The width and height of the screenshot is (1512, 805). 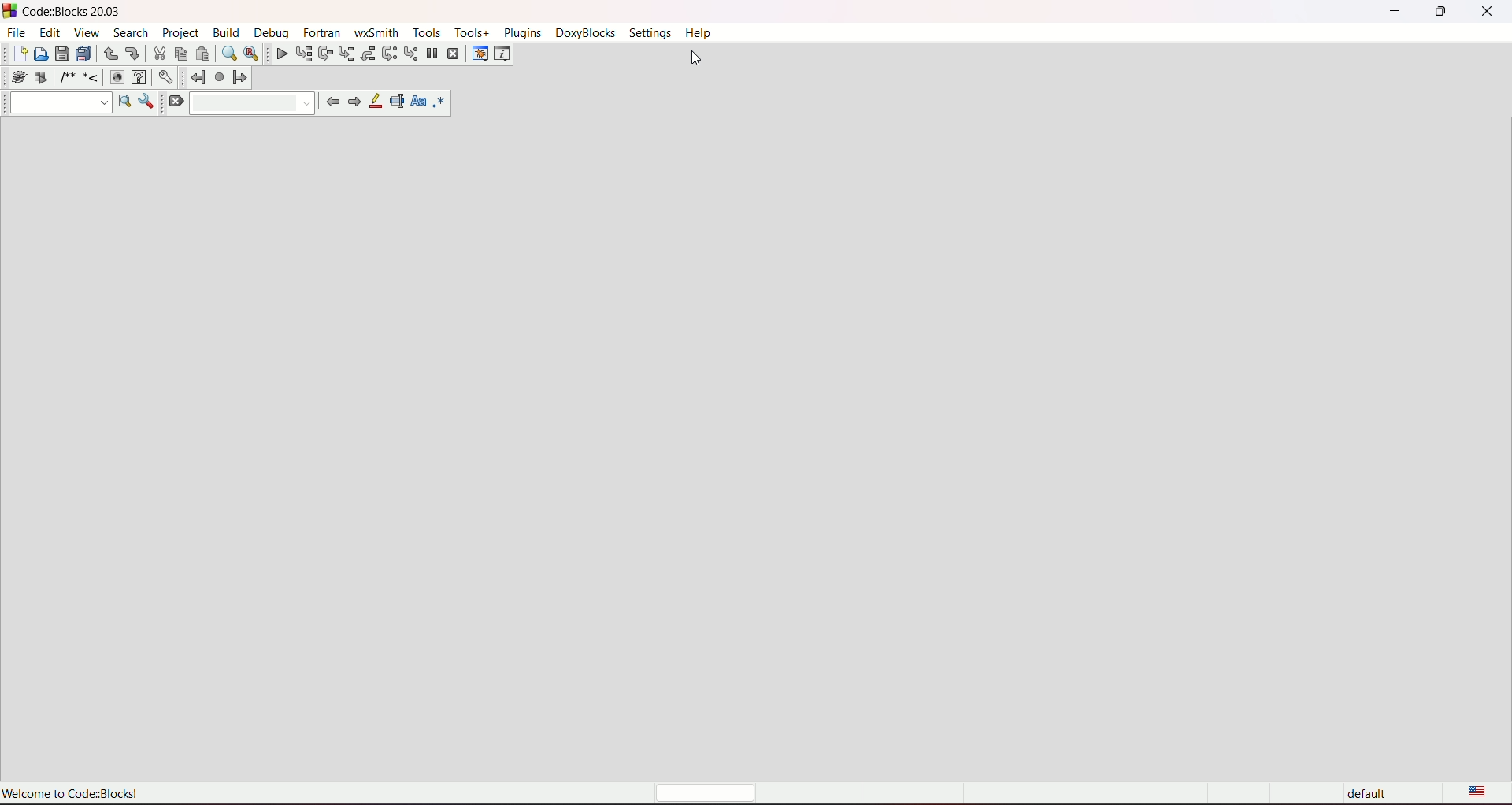 What do you see at coordinates (649, 33) in the screenshot?
I see `settings` at bounding box center [649, 33].